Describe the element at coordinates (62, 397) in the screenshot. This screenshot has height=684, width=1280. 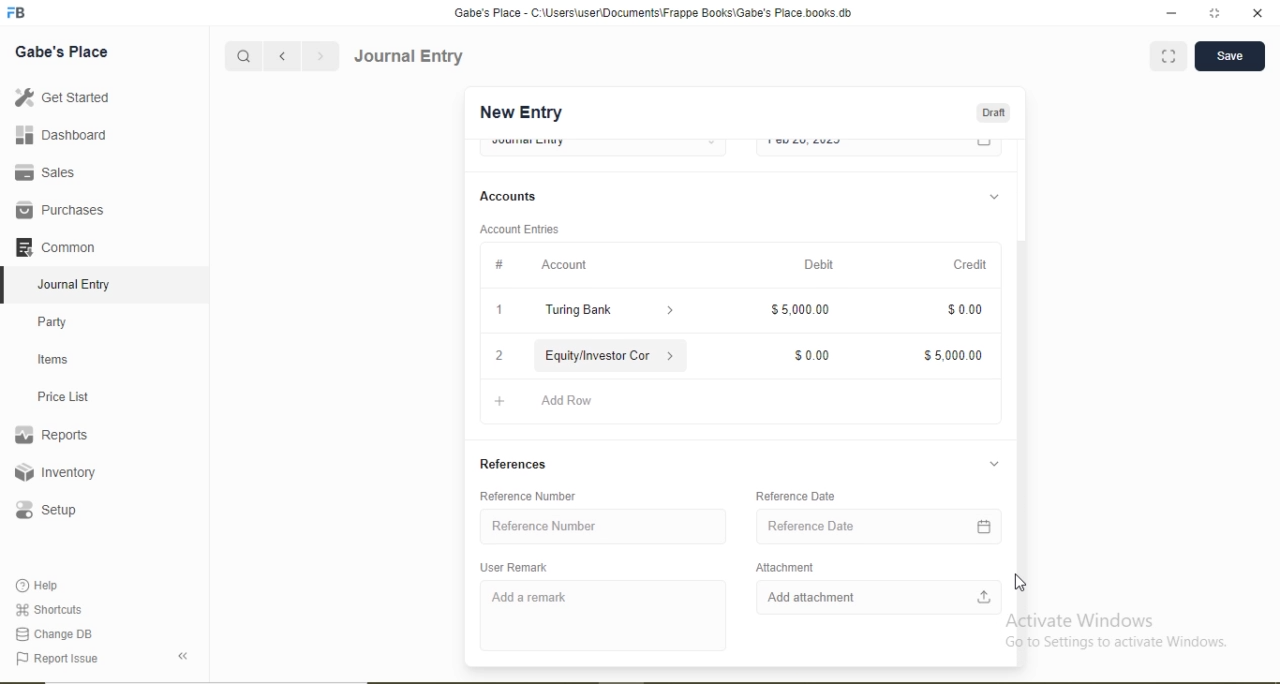
I see `Price List` at that location.